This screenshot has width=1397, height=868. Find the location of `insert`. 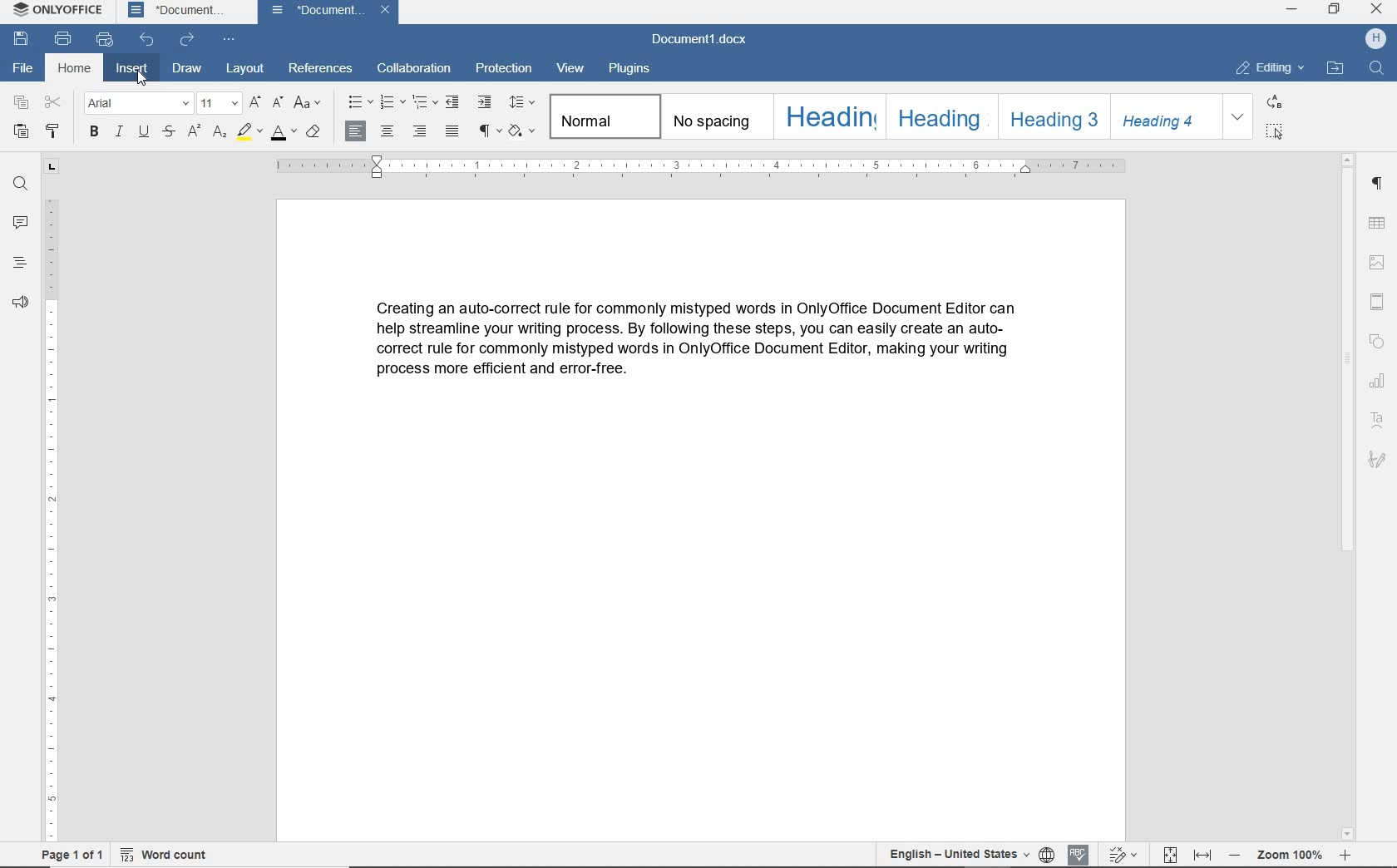

insert is located at coordinates (133, 67).